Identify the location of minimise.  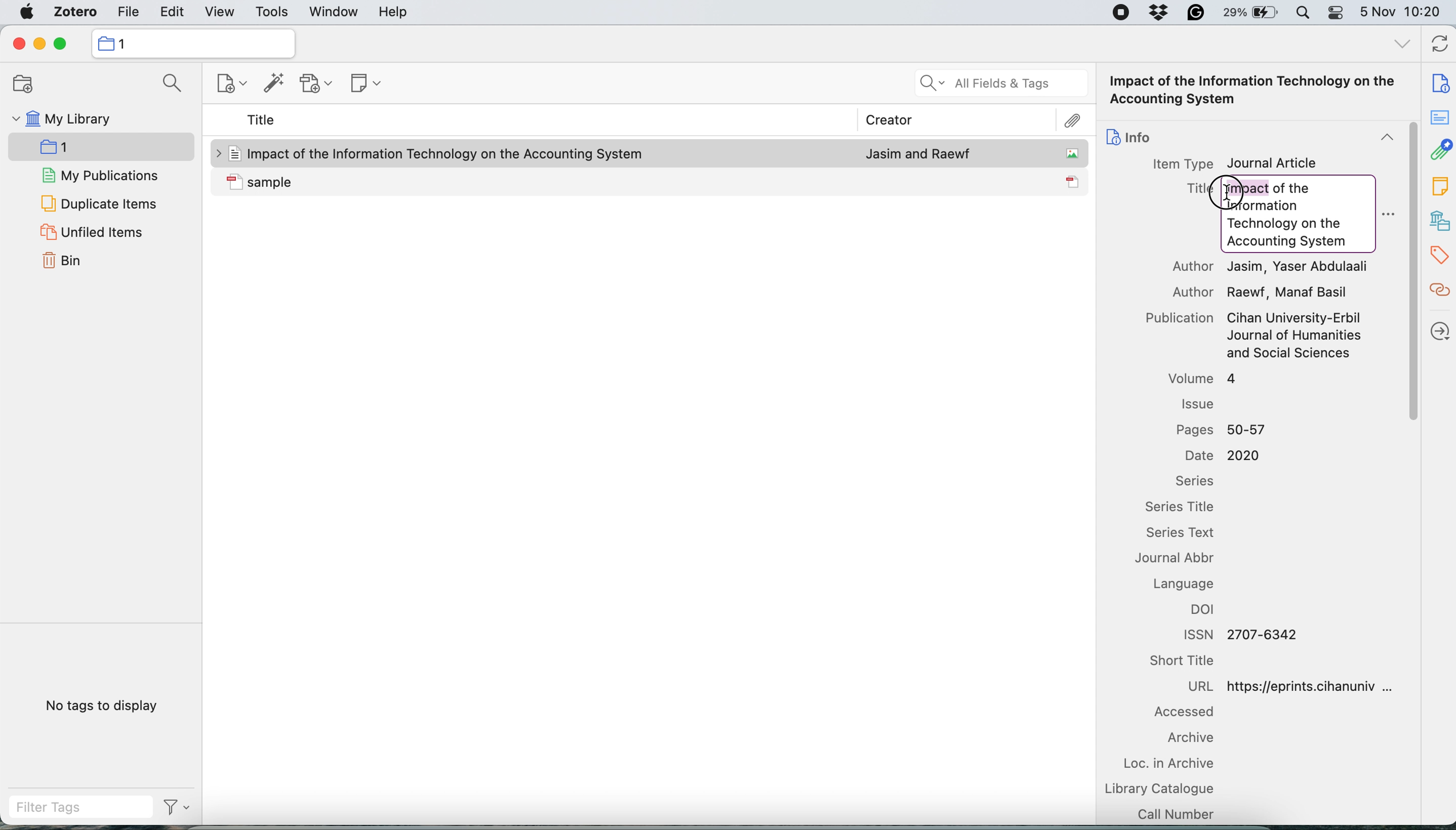
(40, 44).